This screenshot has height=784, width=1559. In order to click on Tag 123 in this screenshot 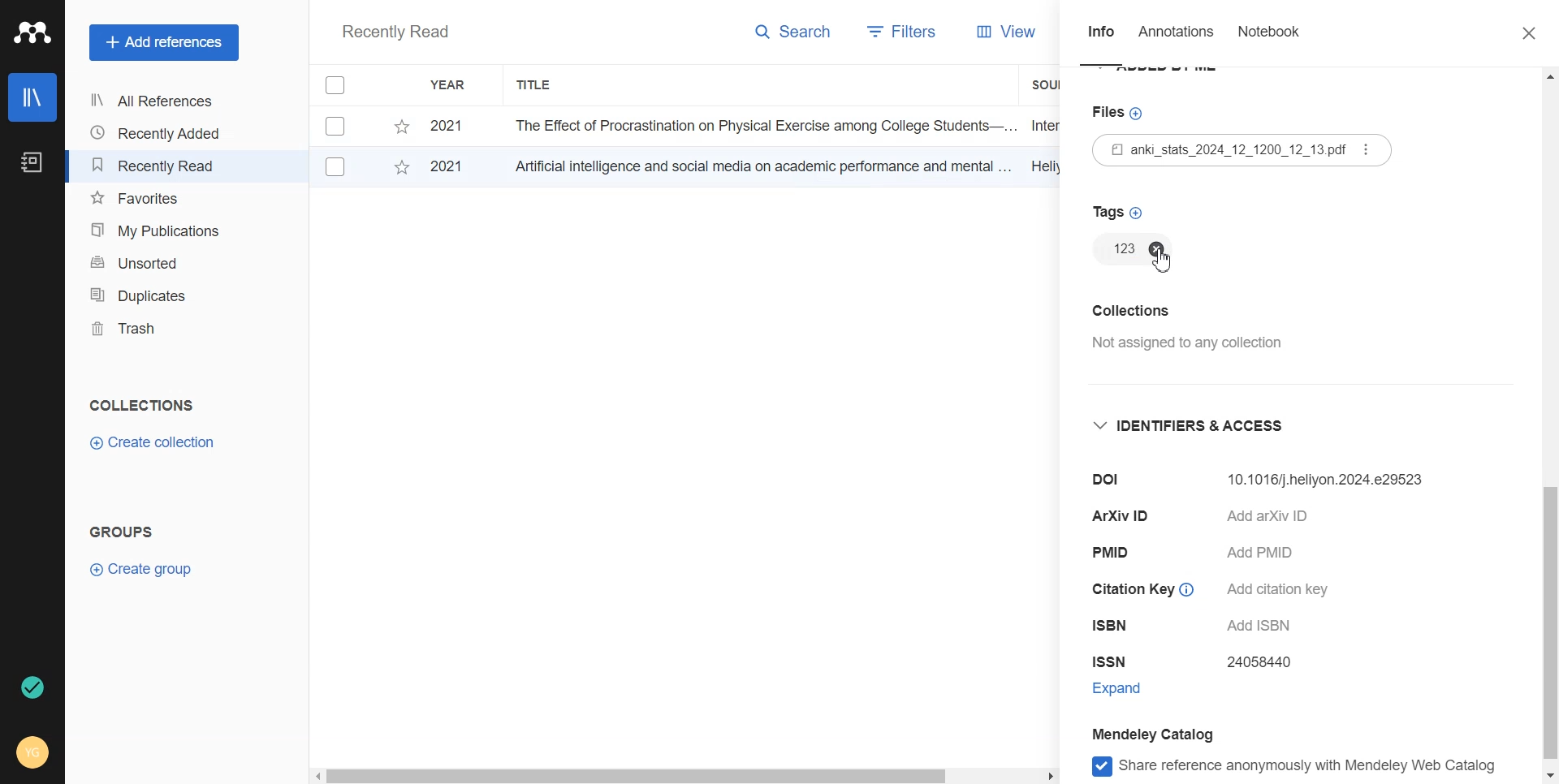, I will do `click(1118, 249)`.